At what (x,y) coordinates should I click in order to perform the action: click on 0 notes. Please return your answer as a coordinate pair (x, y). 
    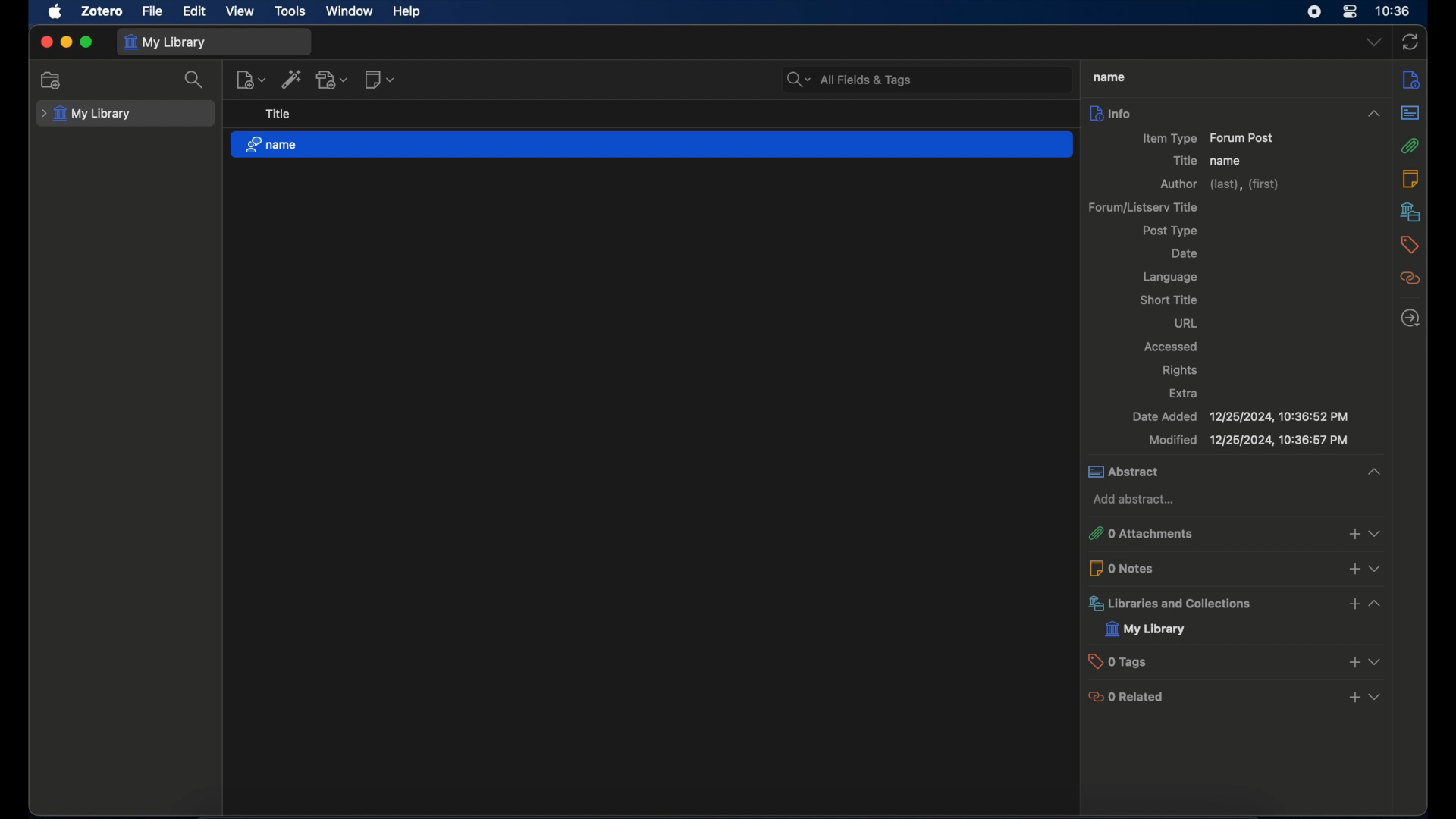
    Looking at the image, I should click on (1235, 567).